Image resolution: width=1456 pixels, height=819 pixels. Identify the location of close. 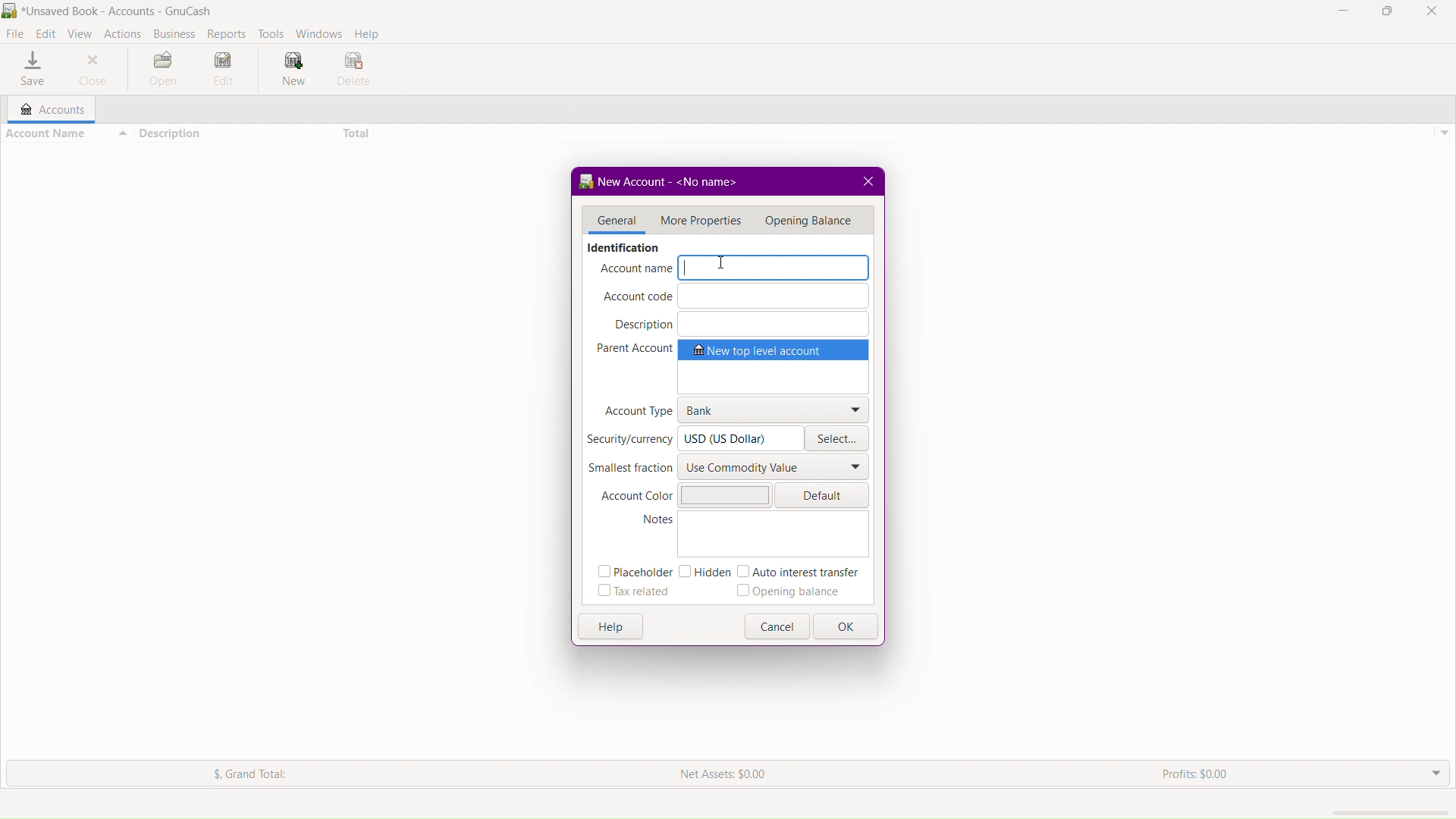
(871, 179).